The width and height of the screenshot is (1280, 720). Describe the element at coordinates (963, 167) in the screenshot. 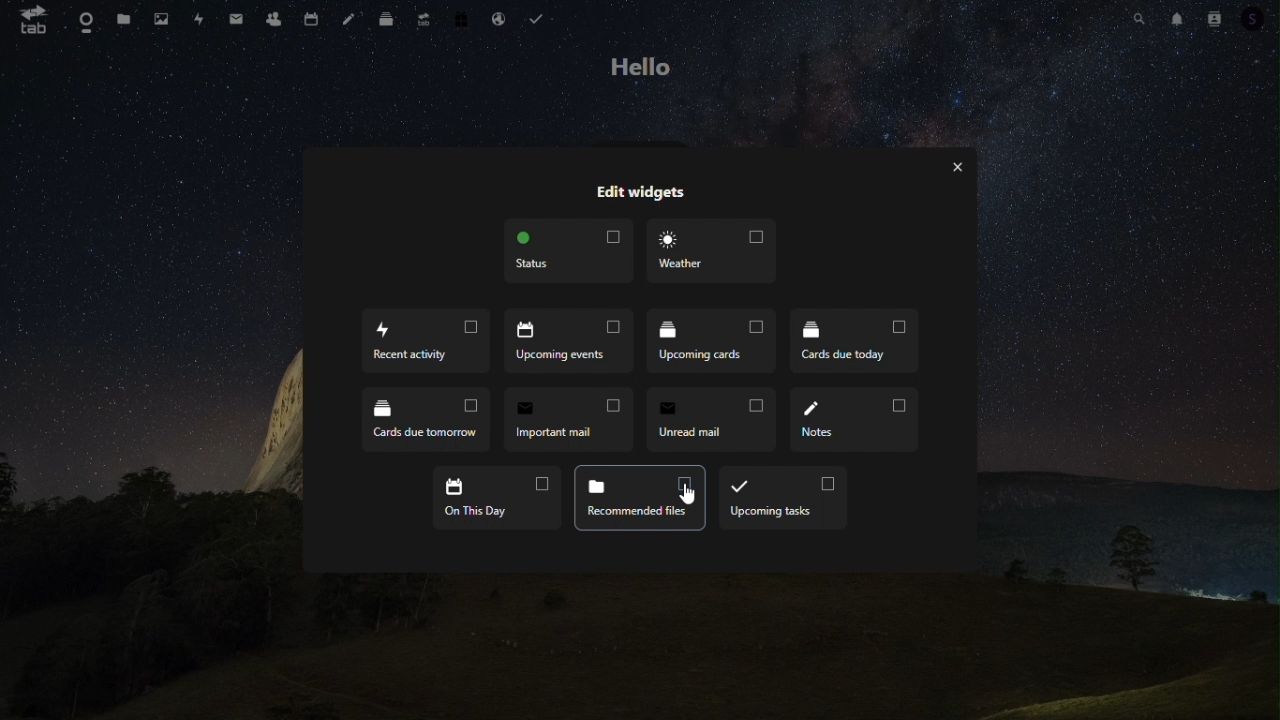

I see `close` at that location.